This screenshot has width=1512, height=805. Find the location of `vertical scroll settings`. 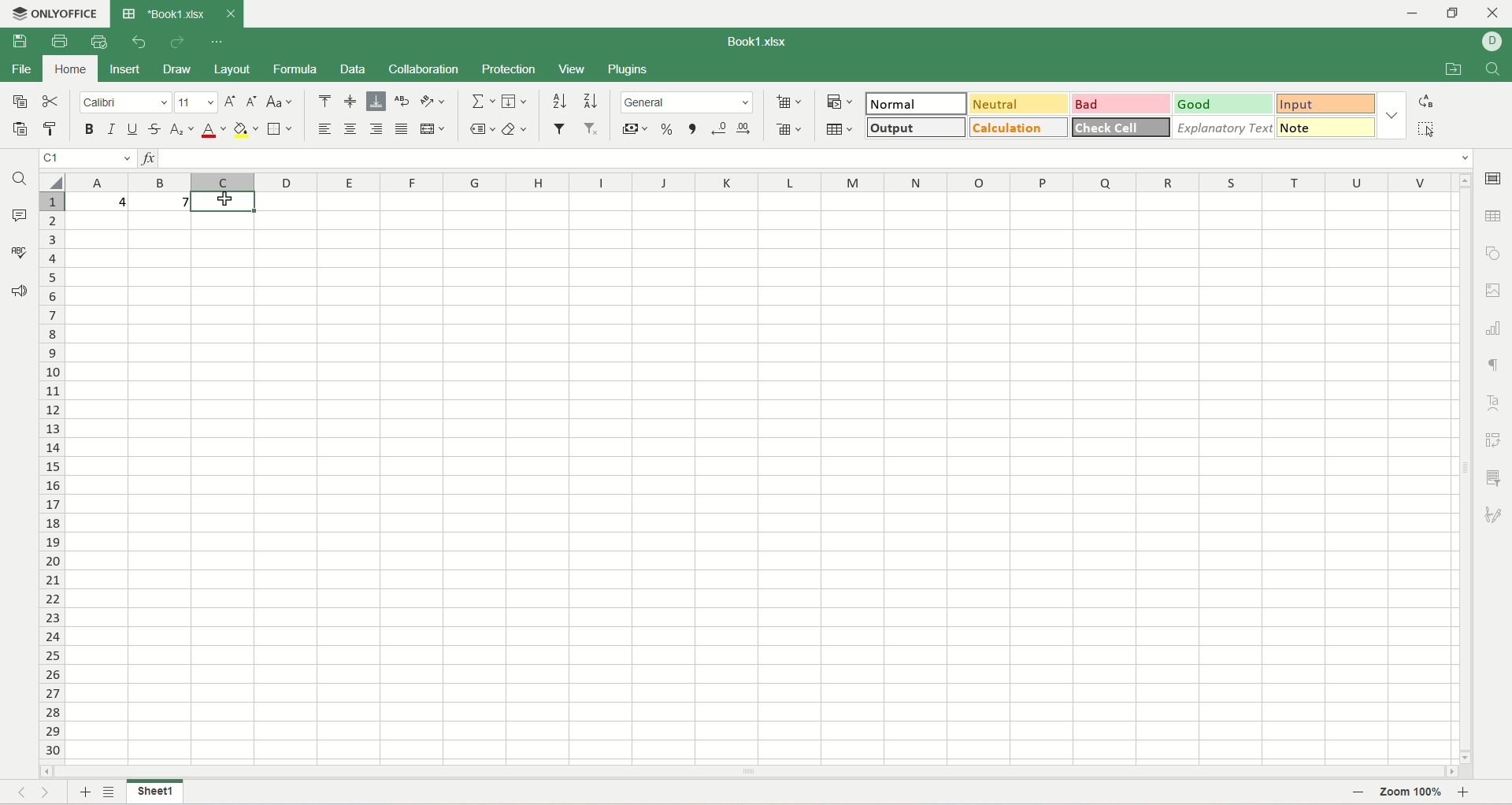

vertical scroll settings is located at coordinates (1467, 467).